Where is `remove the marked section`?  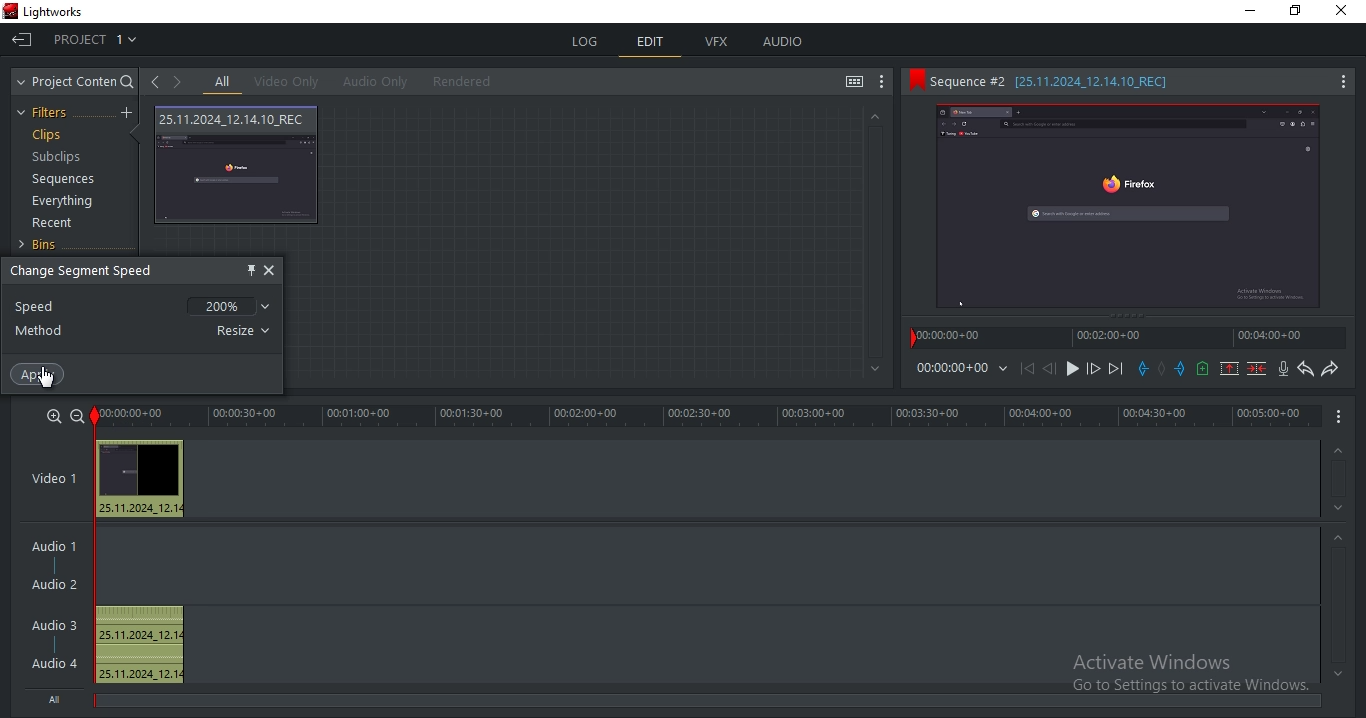 remove the marked section is located at coordinates (1230, 369).